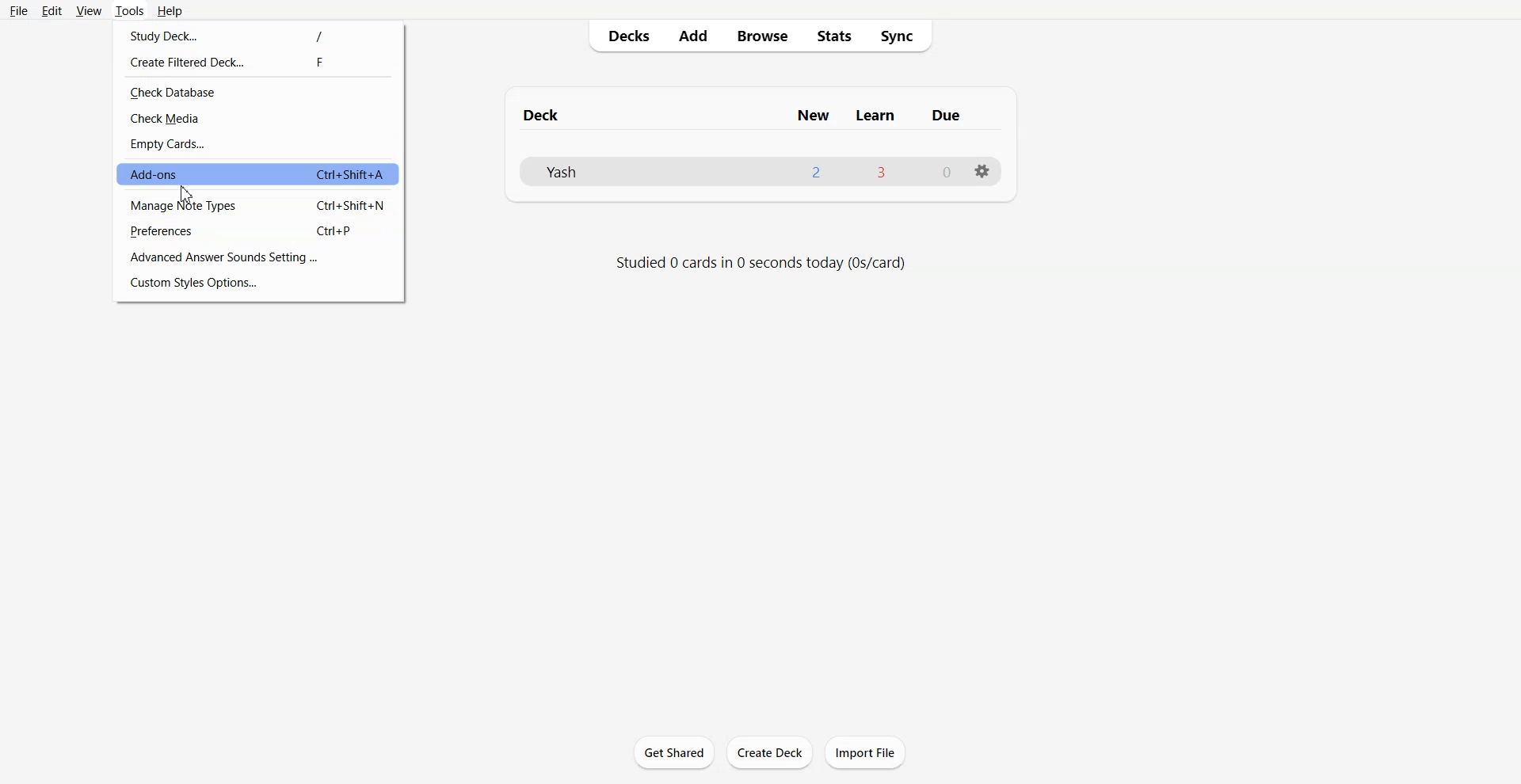 This screenshot has height=784, width=1521. What do you see at coordinates (258, 143) in the screenshot?
I see `Empty Cards` at bounding box center [258, 143].